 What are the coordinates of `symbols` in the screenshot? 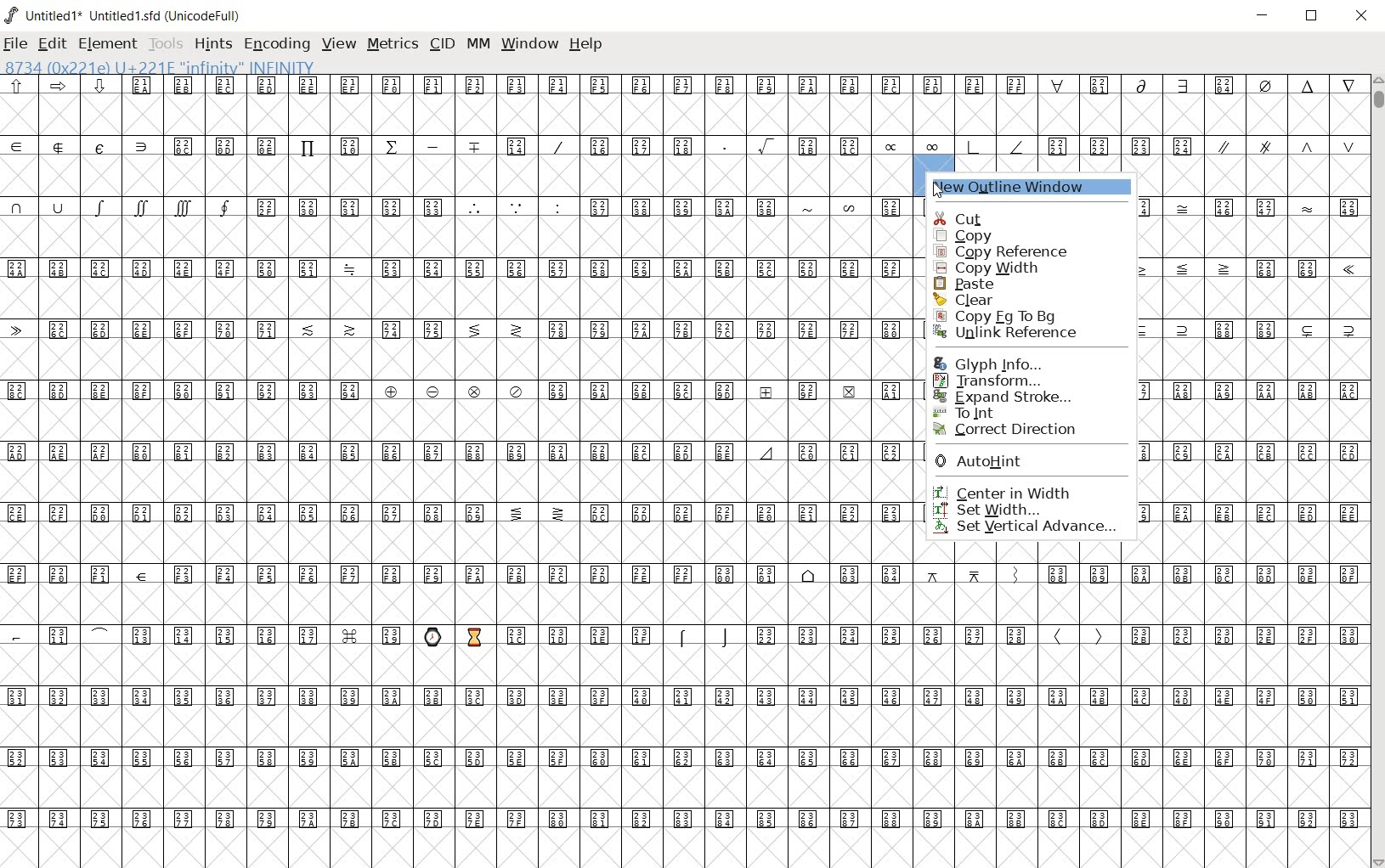 It's located at (831, 206).